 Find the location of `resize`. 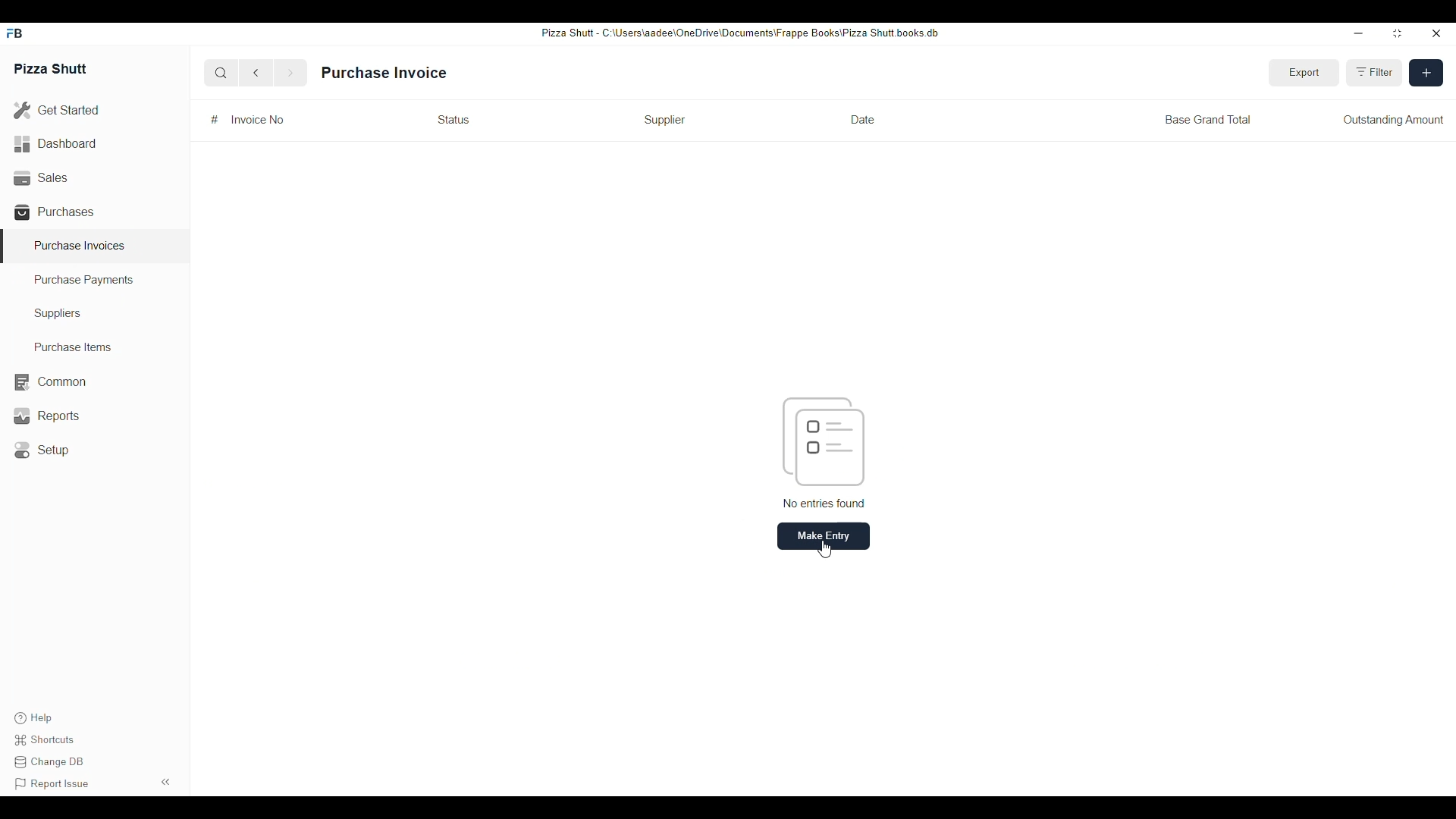

resize is located at coordinates (1395, 34).